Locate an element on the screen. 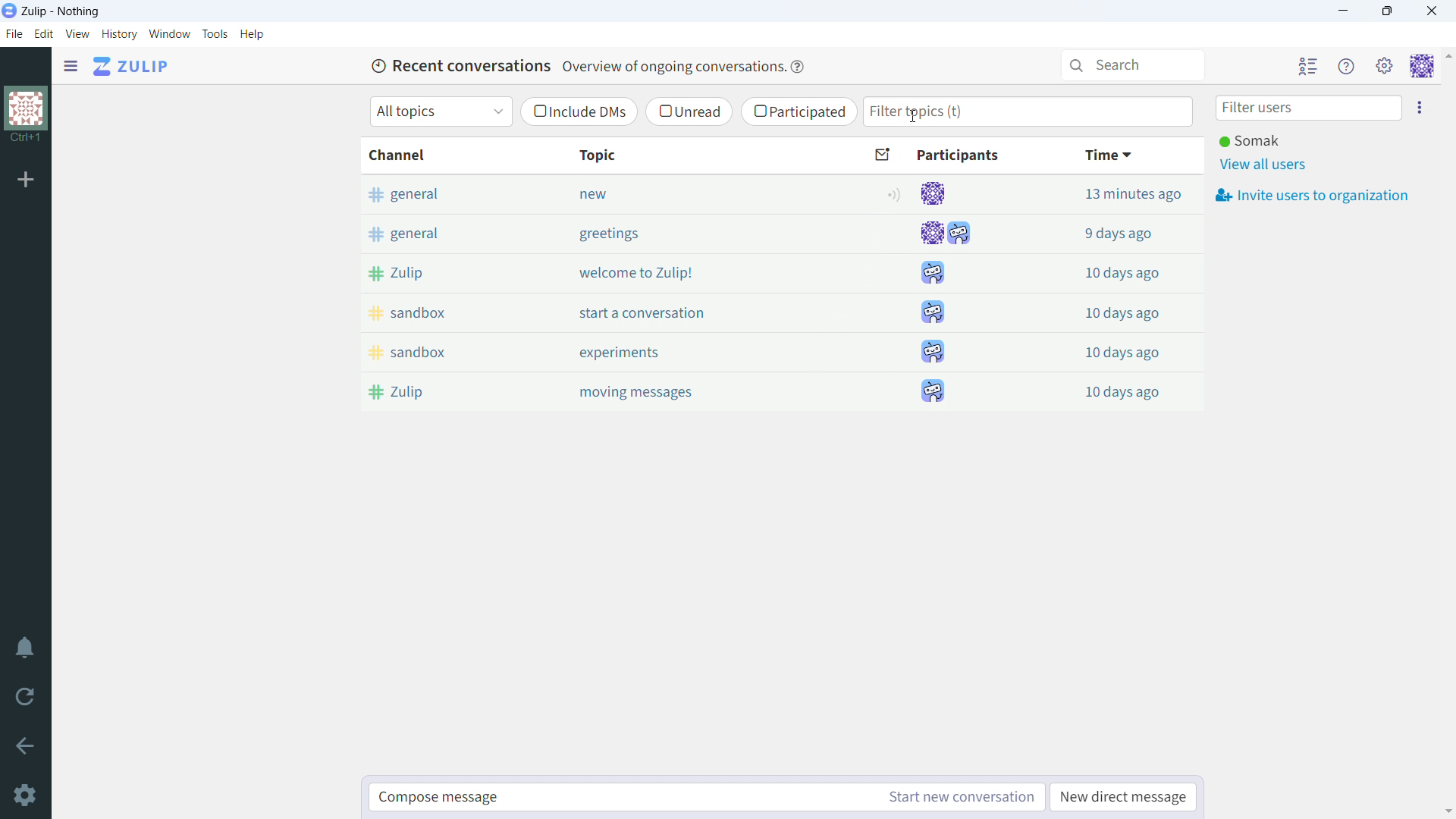  start a conversation is located at coordinates (696, 312).